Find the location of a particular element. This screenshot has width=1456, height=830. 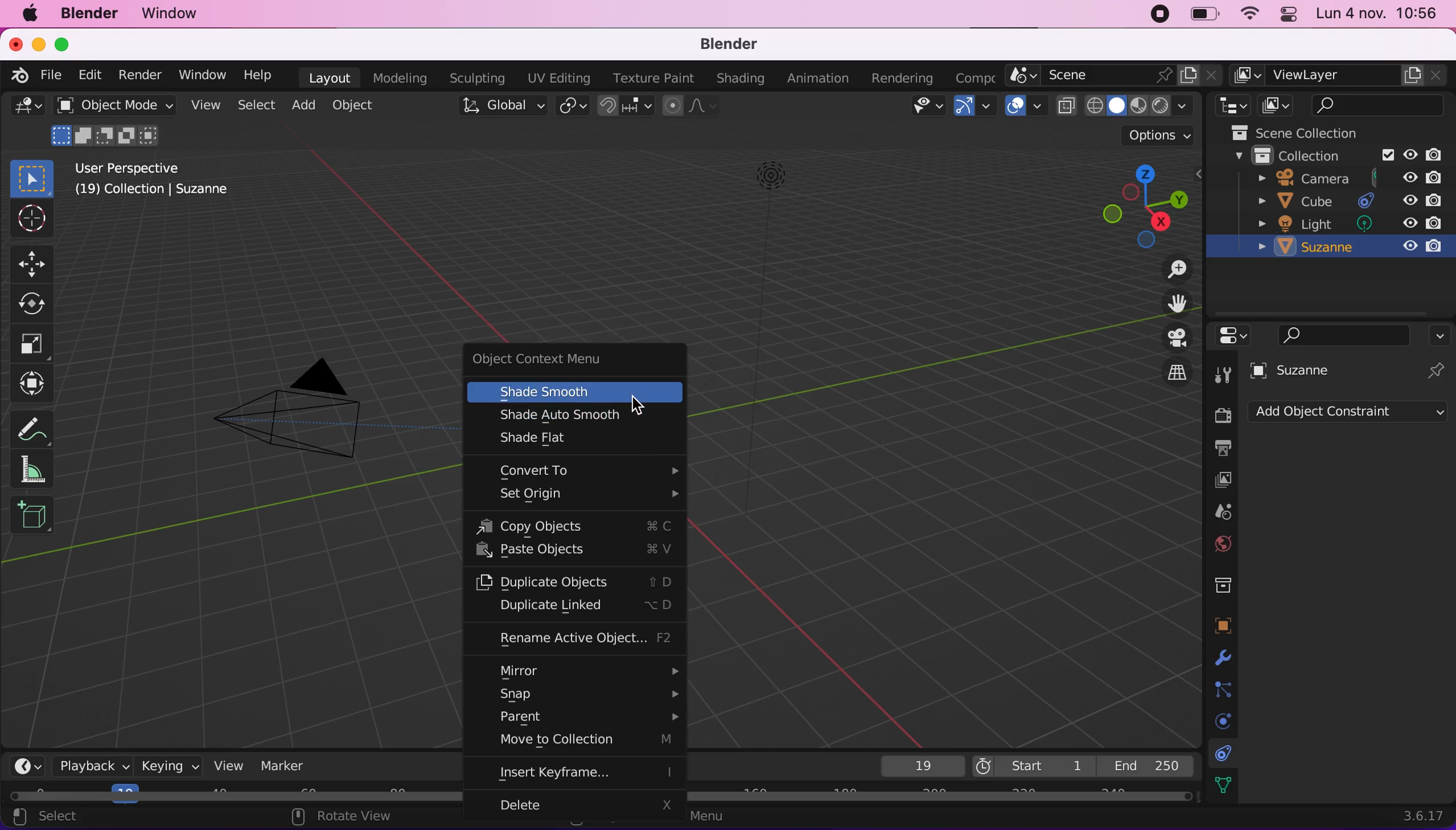

move the view is located at coordinates (1176, 303).